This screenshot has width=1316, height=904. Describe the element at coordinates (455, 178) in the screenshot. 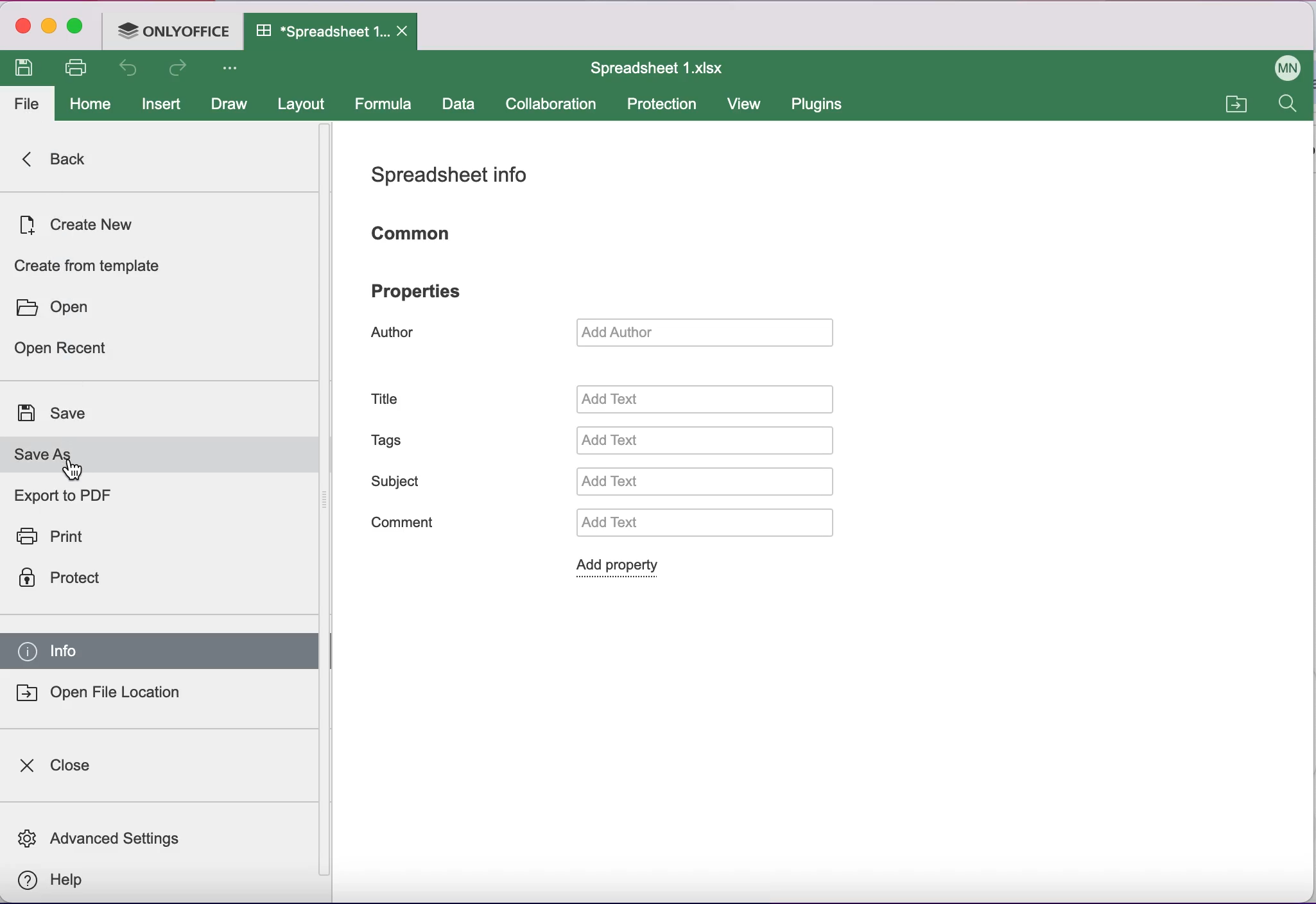

I see `spreadsheet info` at that location.